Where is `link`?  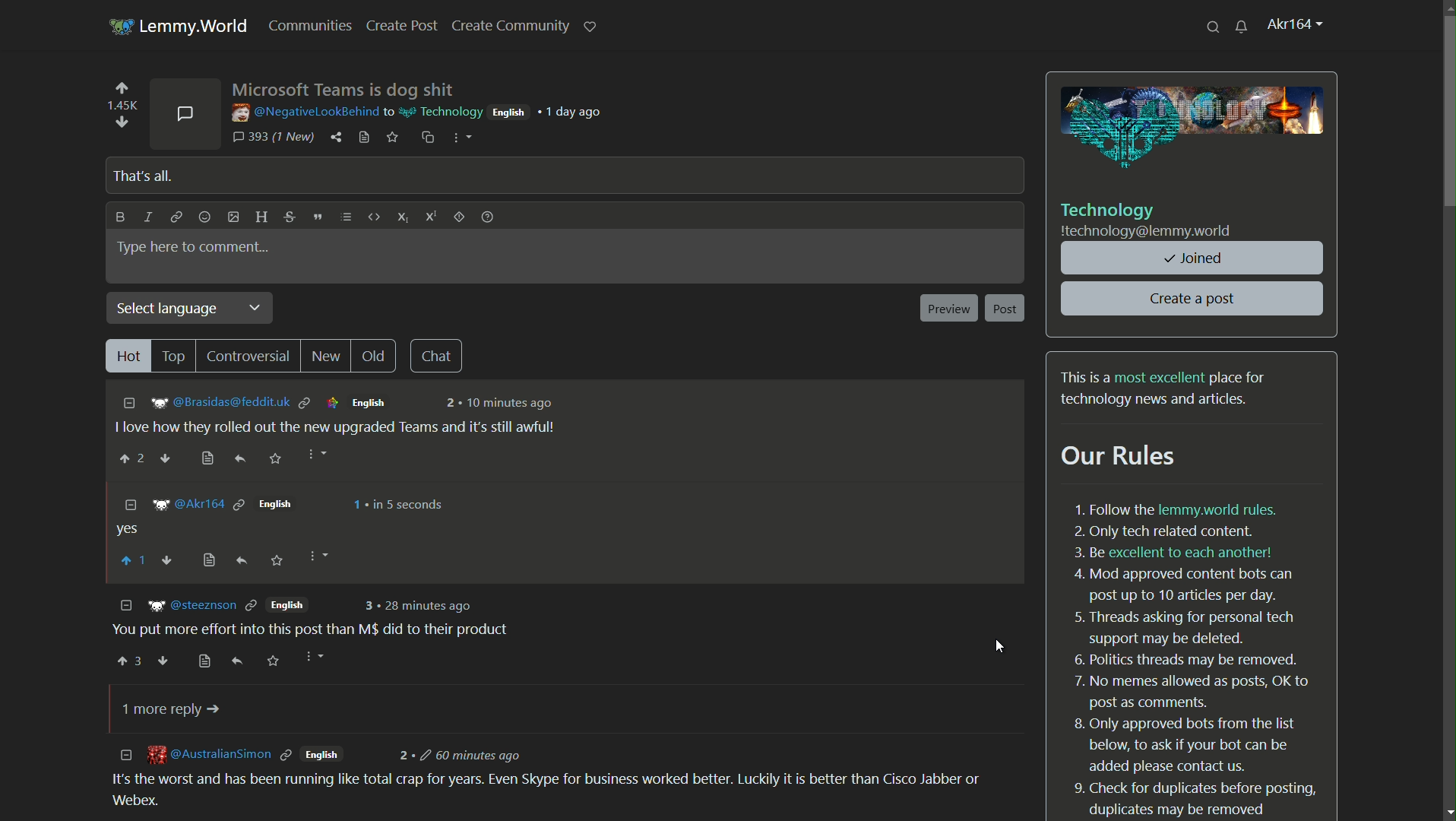 link is located at coordinates (238, 505).